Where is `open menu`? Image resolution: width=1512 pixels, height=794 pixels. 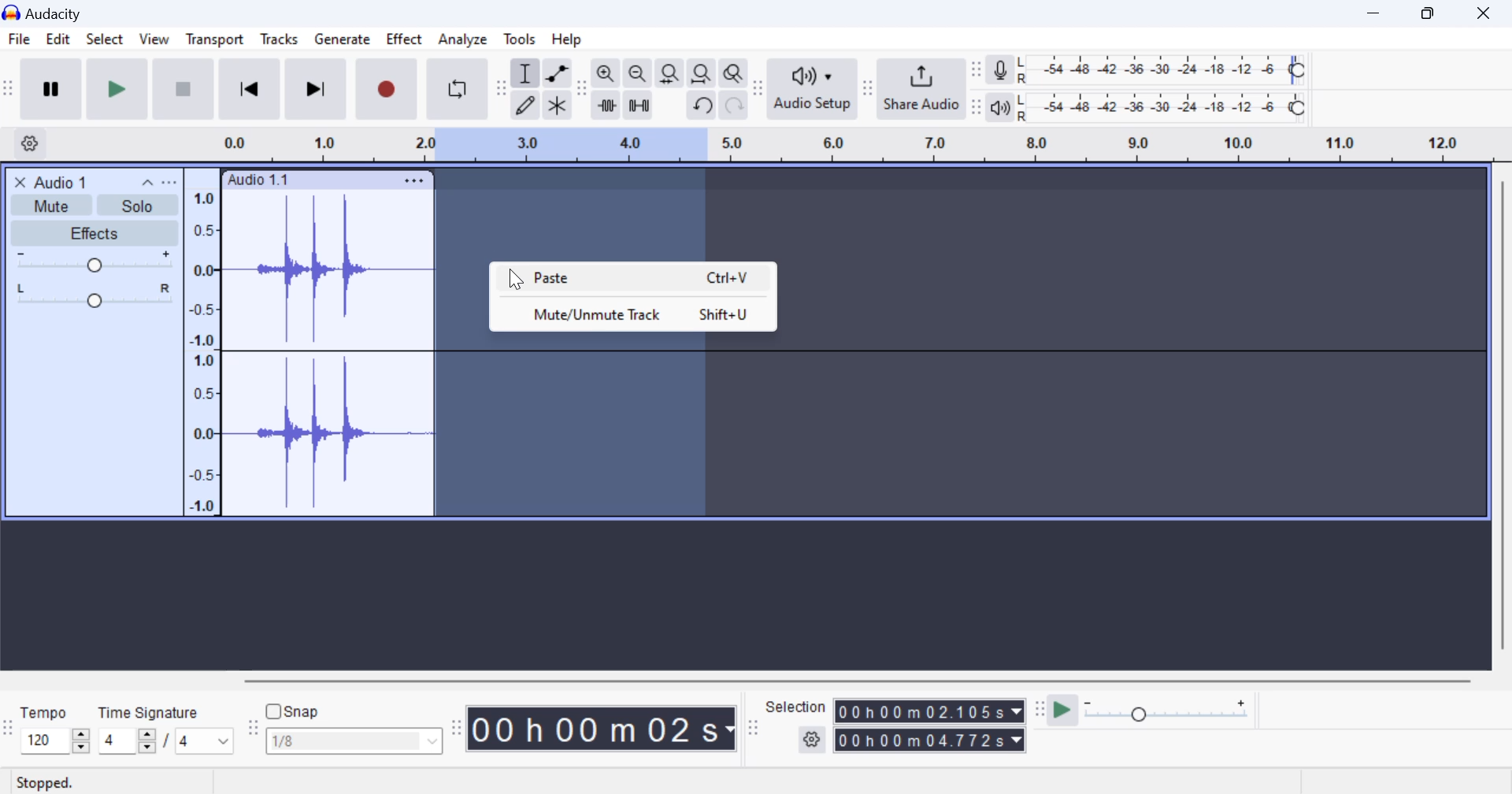
open menu is located at coordinates (169, 182).